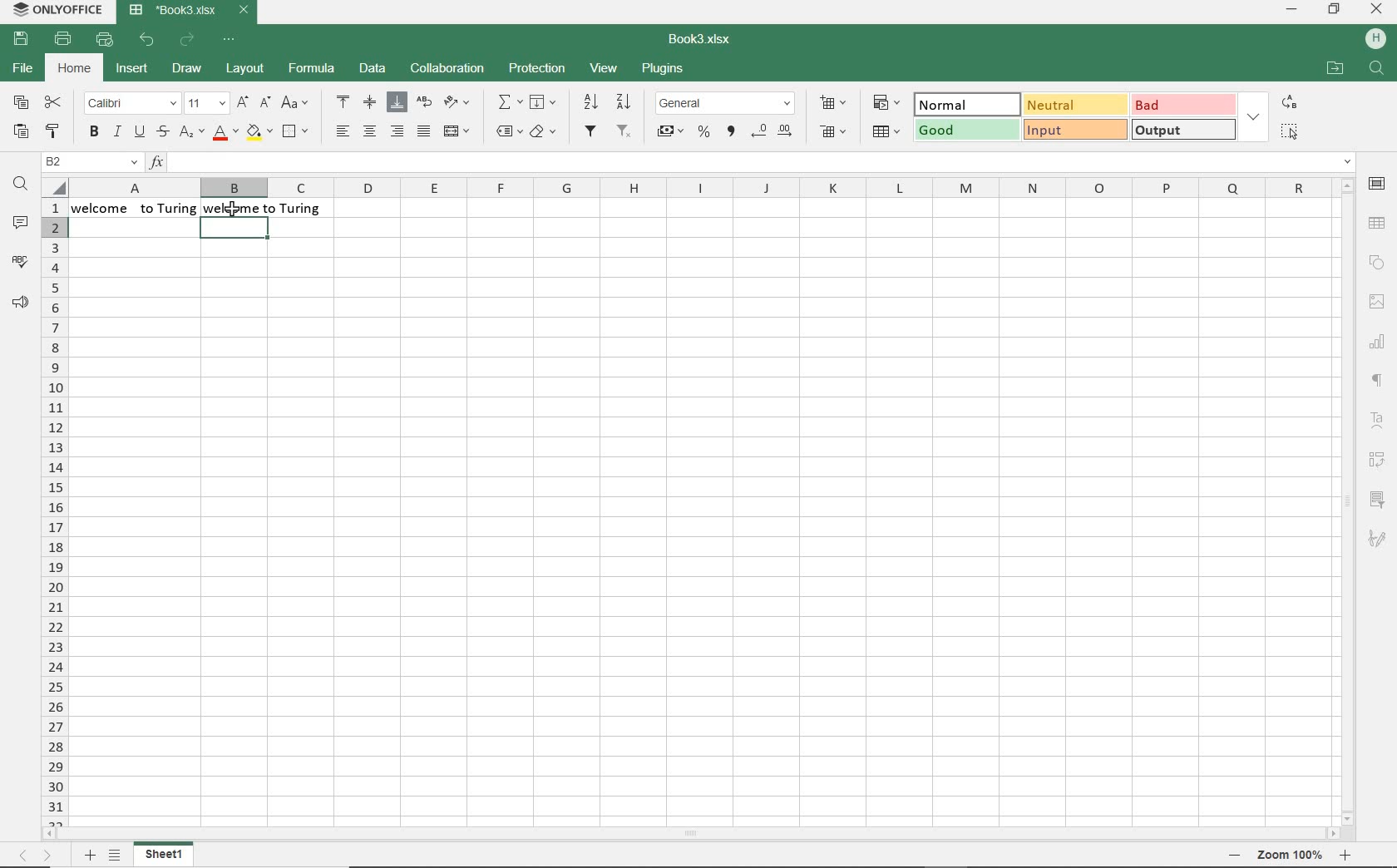  I want to click on sort descending, so click(624, 101).